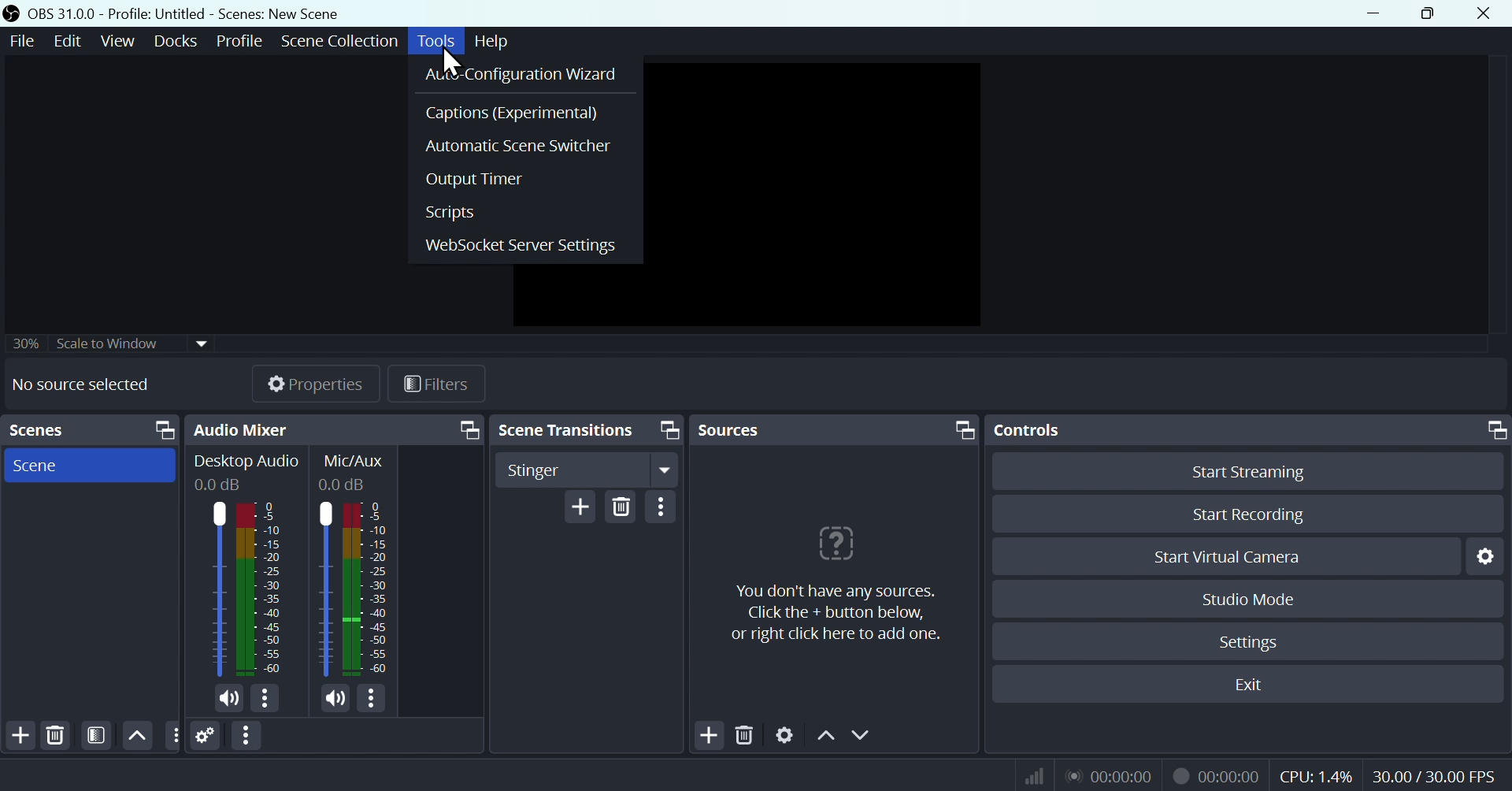  Describe the element at coordinates (1247, 514) in the screenshot. I see `Start Recording` at that location.